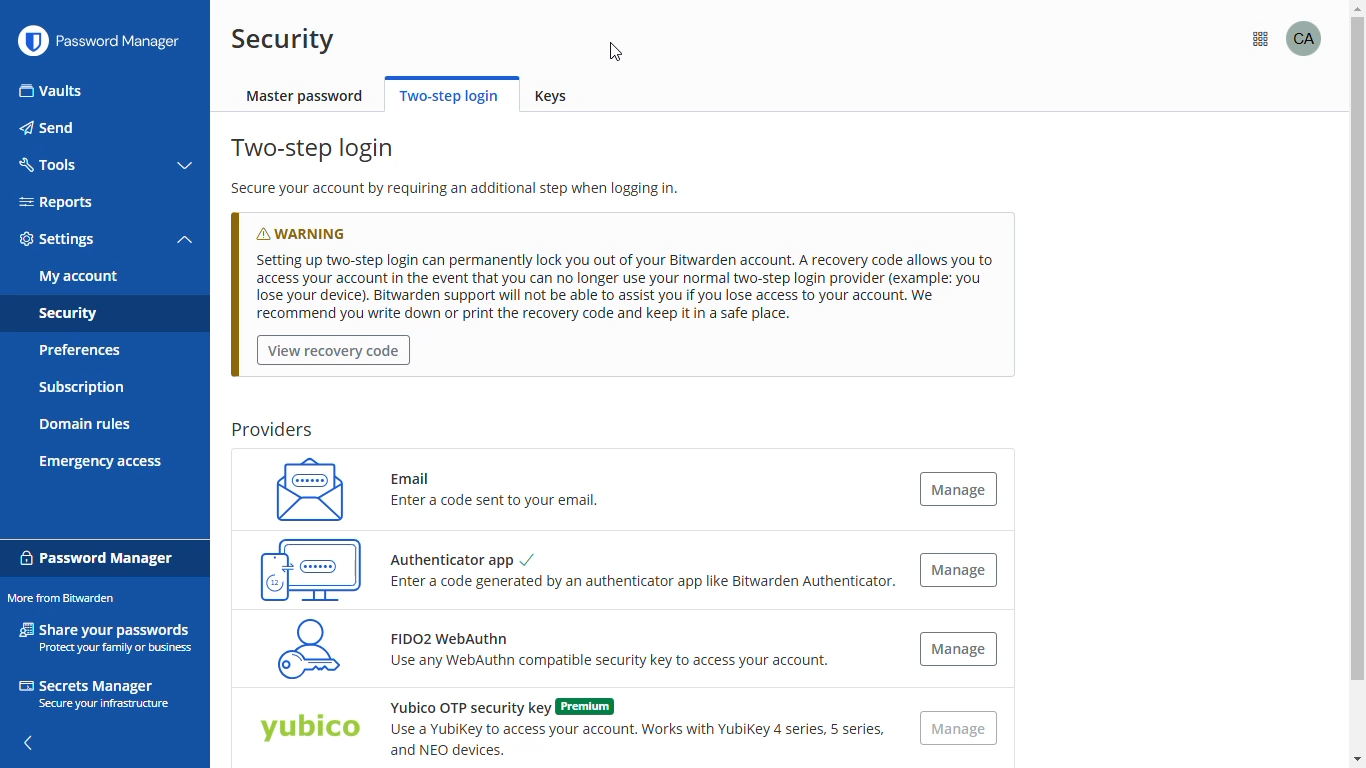 The width and height of the screenshot is (1366, 768). Describe the element at coordinates (960, 729) in the screenshot. I see `manage` at that location.